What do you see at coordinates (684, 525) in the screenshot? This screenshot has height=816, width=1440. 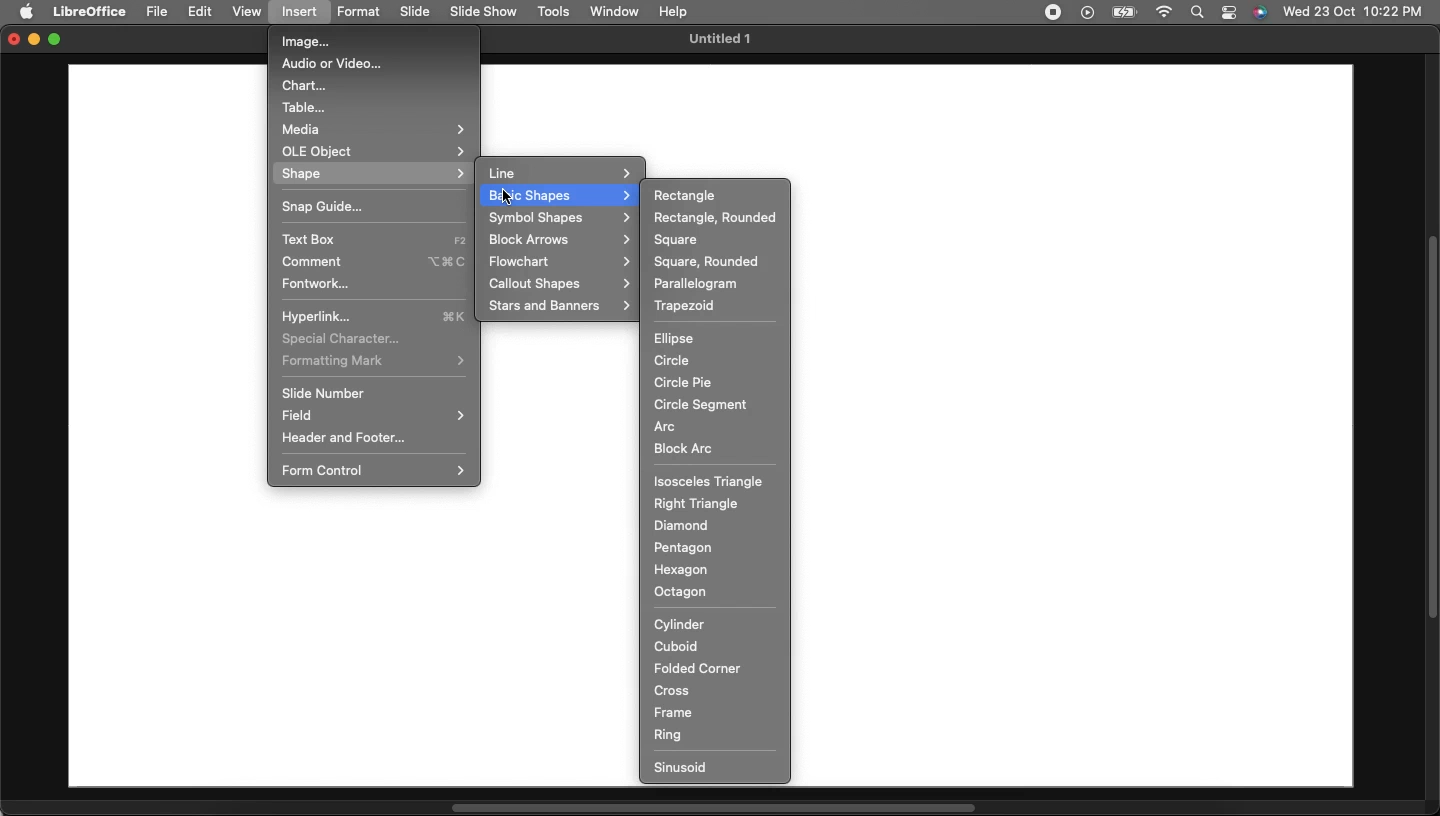 I see `Diamond` at bounding box center [684, 525].